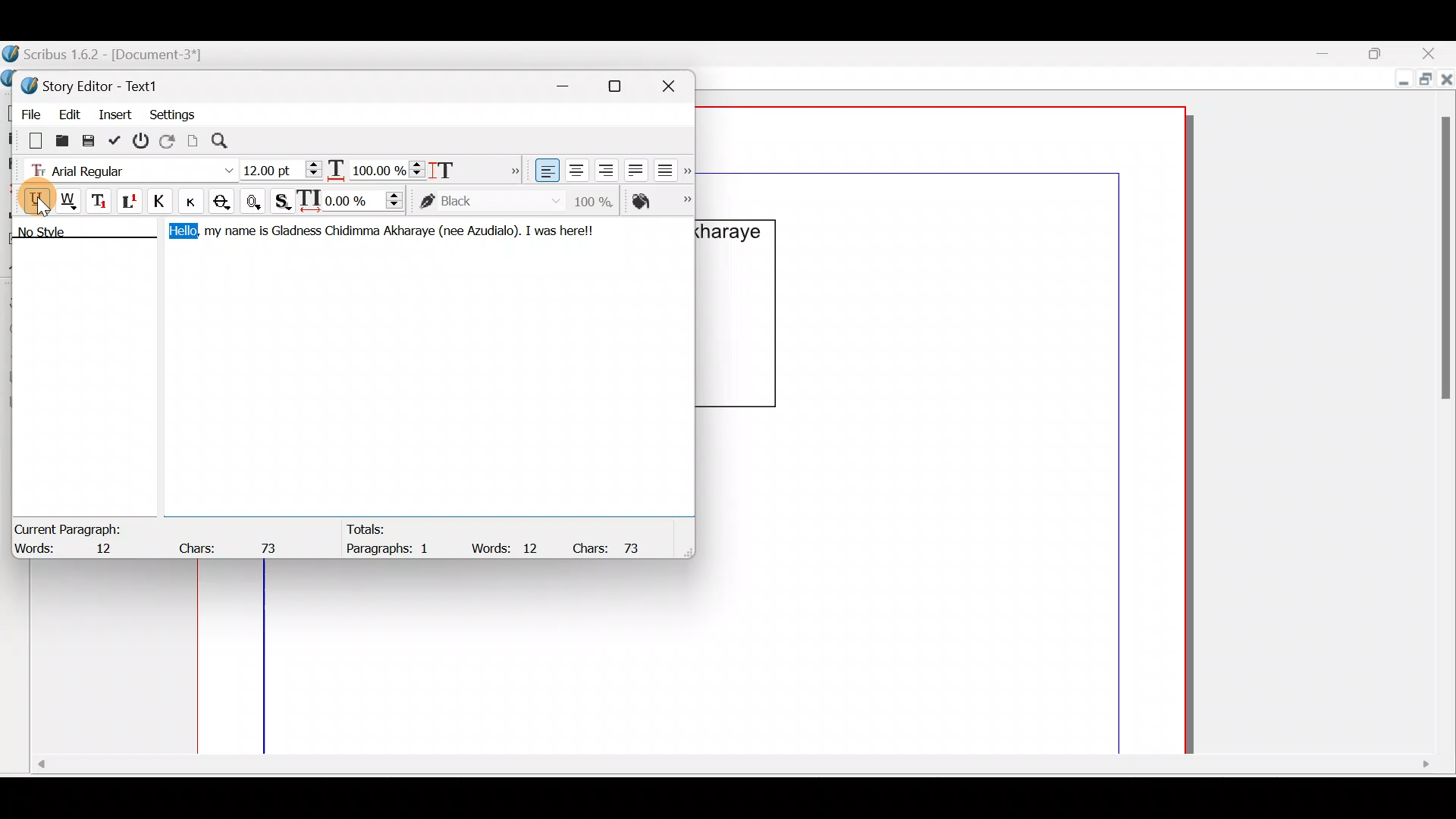 Image resolution: width=1456 pixels, height=819 pixels. What do you see at coordinates (232, 544) in the screenshot?
I see `Chars: 73` at bounding box center [232, 544].